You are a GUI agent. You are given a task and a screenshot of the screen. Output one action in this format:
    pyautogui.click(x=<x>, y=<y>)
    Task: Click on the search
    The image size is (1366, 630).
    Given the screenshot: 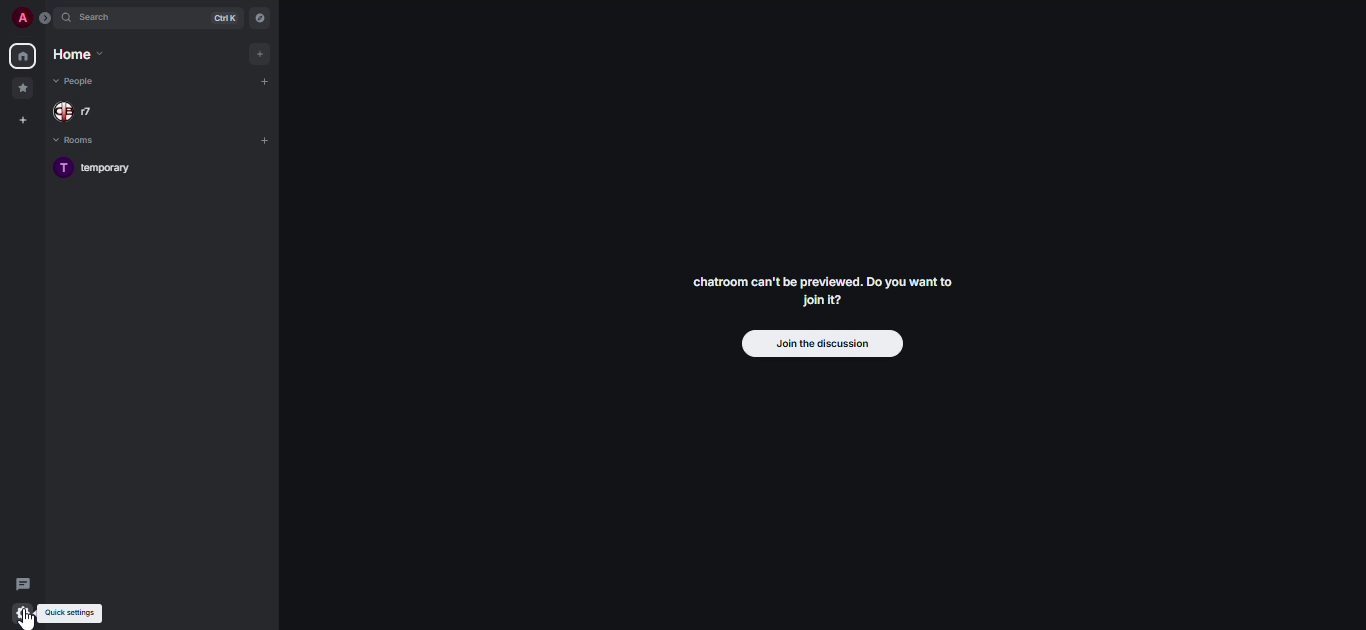 What is the action you would take?
    pyautogui.click(x=97, y=19)
    